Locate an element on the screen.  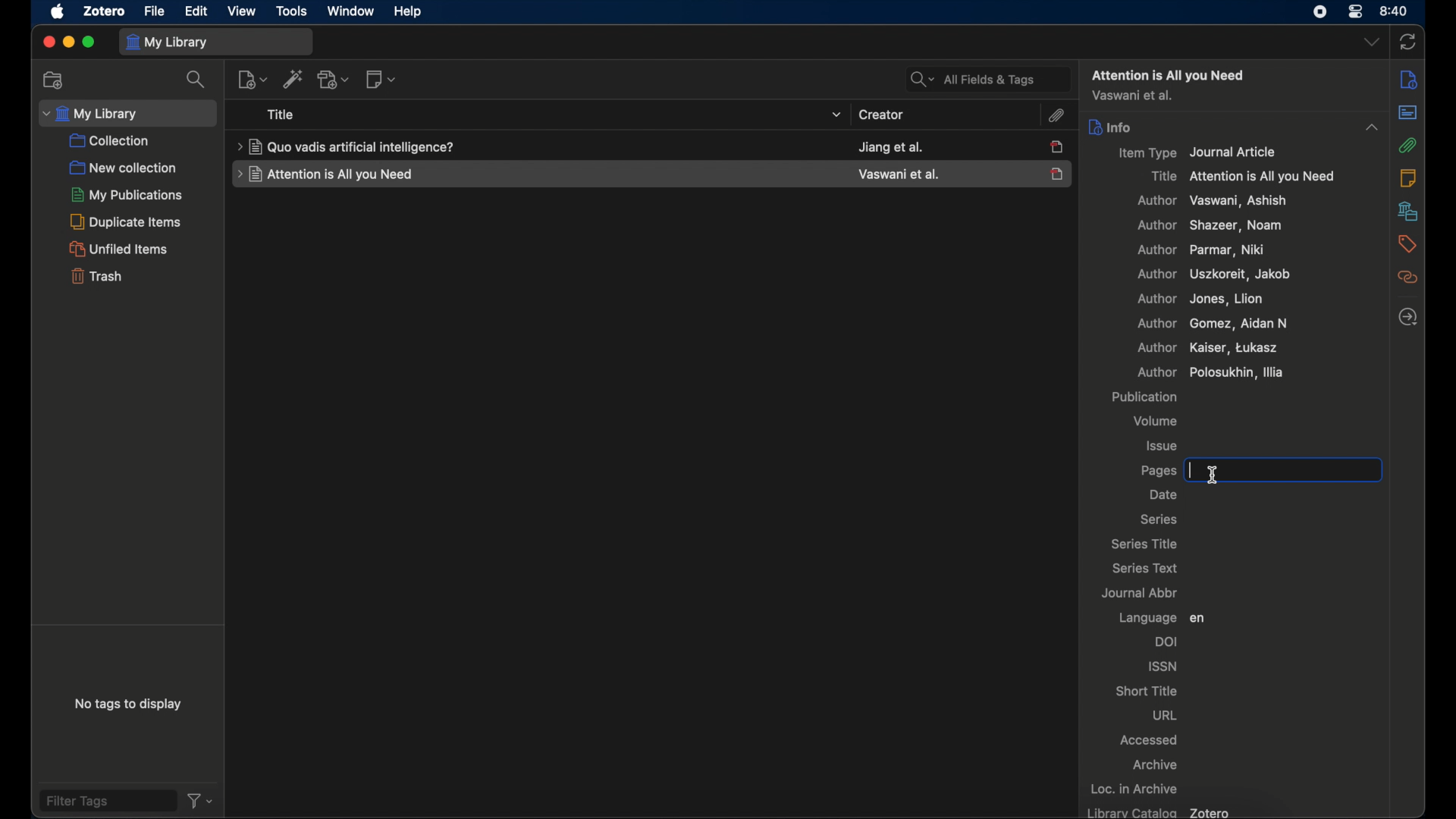
accessed is located at coordinates (1150, 741).